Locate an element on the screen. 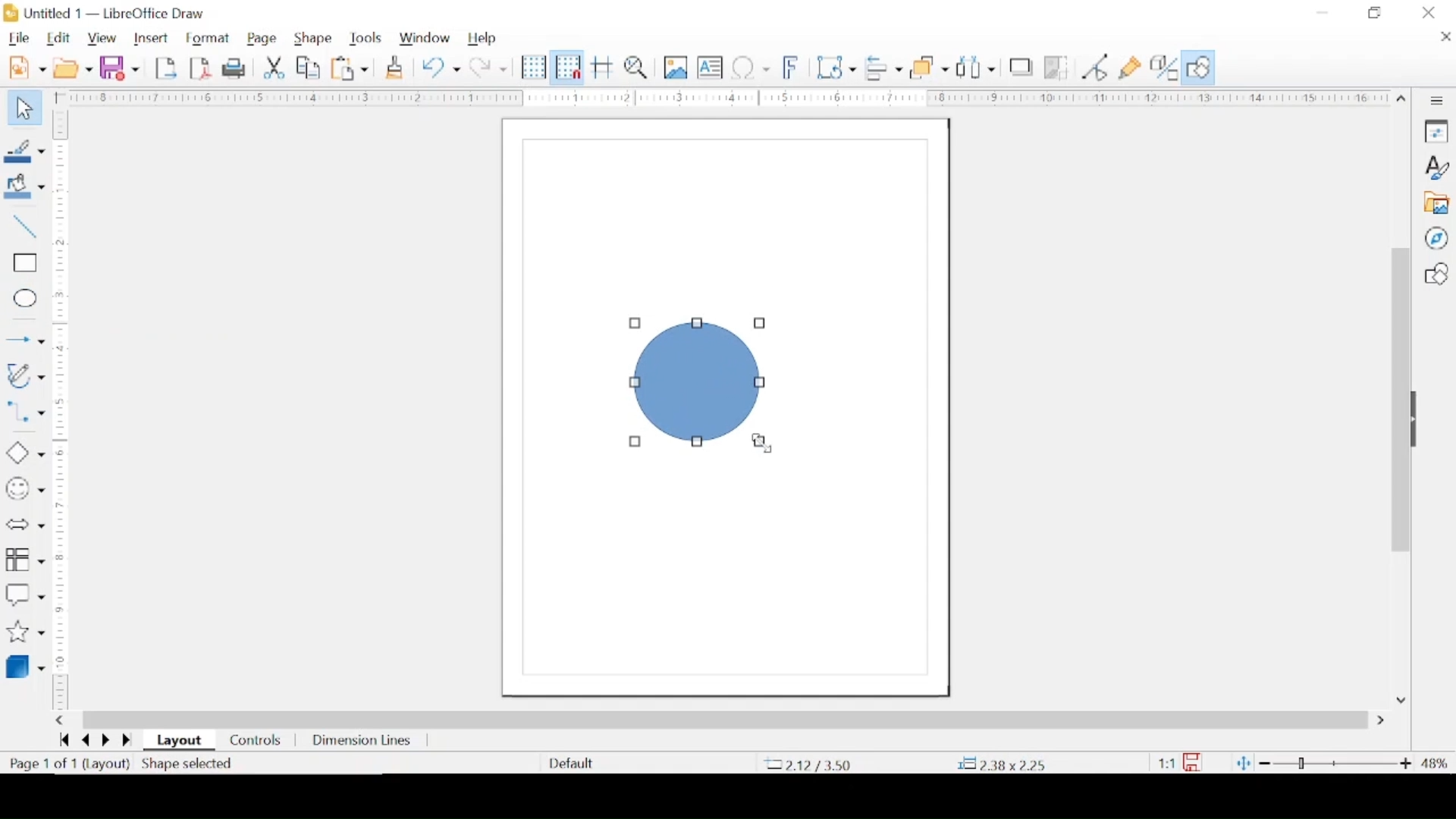 This screenshot has height=819, width=1456. insert fontwork text is located at coordinates (792, 67).